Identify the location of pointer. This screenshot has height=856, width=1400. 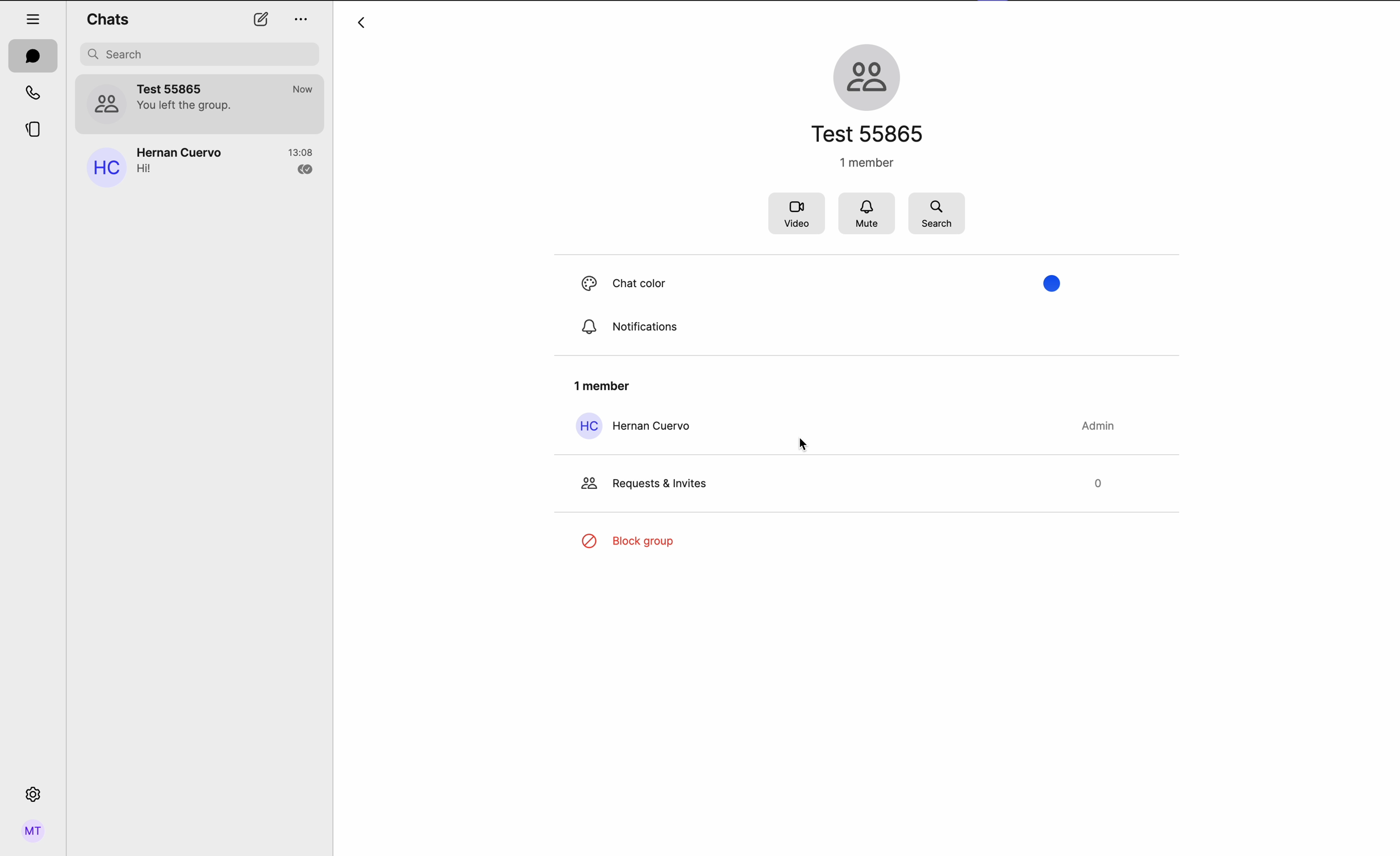
(809, 444).